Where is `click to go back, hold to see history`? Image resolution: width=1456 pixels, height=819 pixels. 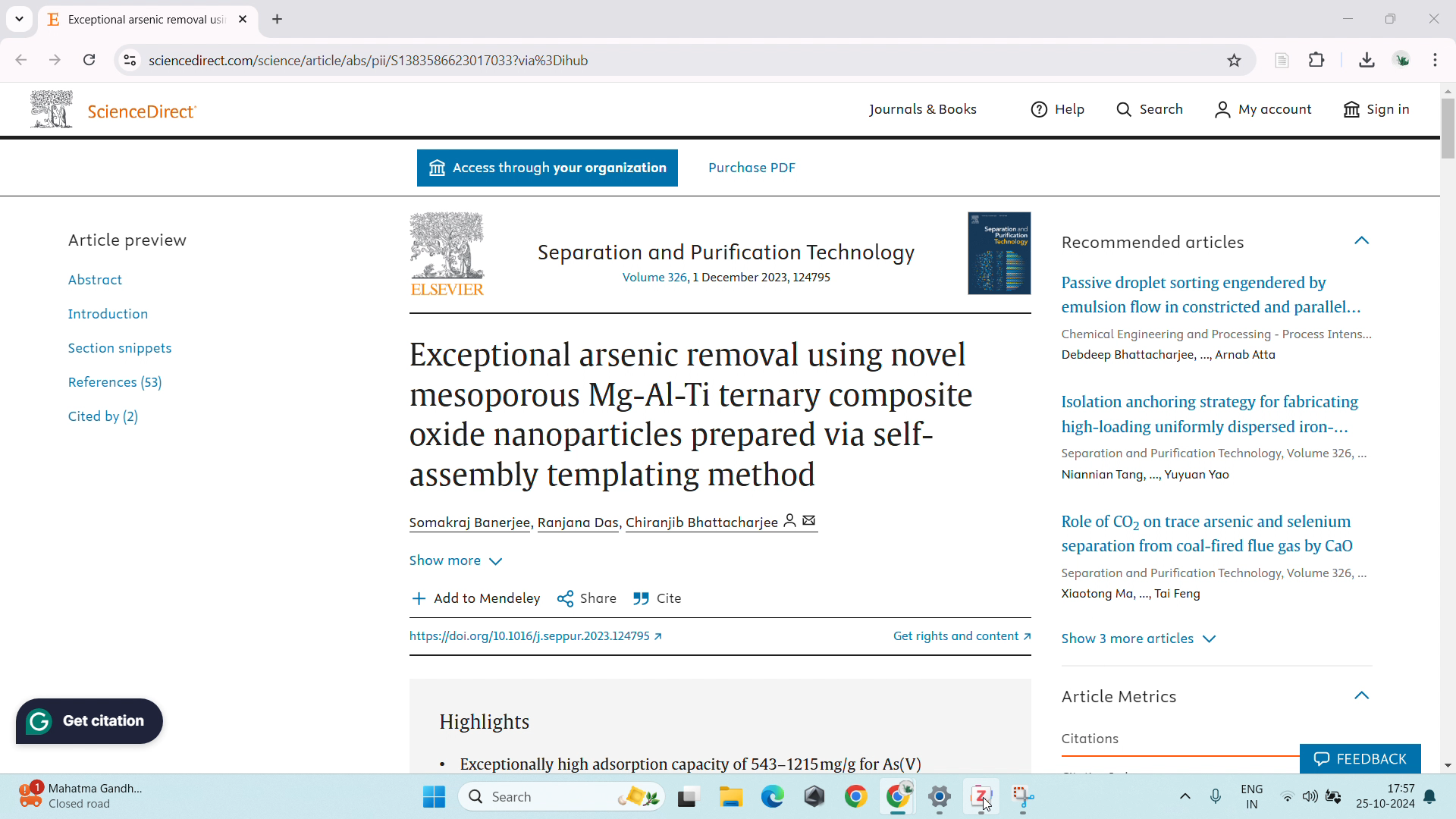
click to go back, hold to see history is located at coordinates (20, 59).